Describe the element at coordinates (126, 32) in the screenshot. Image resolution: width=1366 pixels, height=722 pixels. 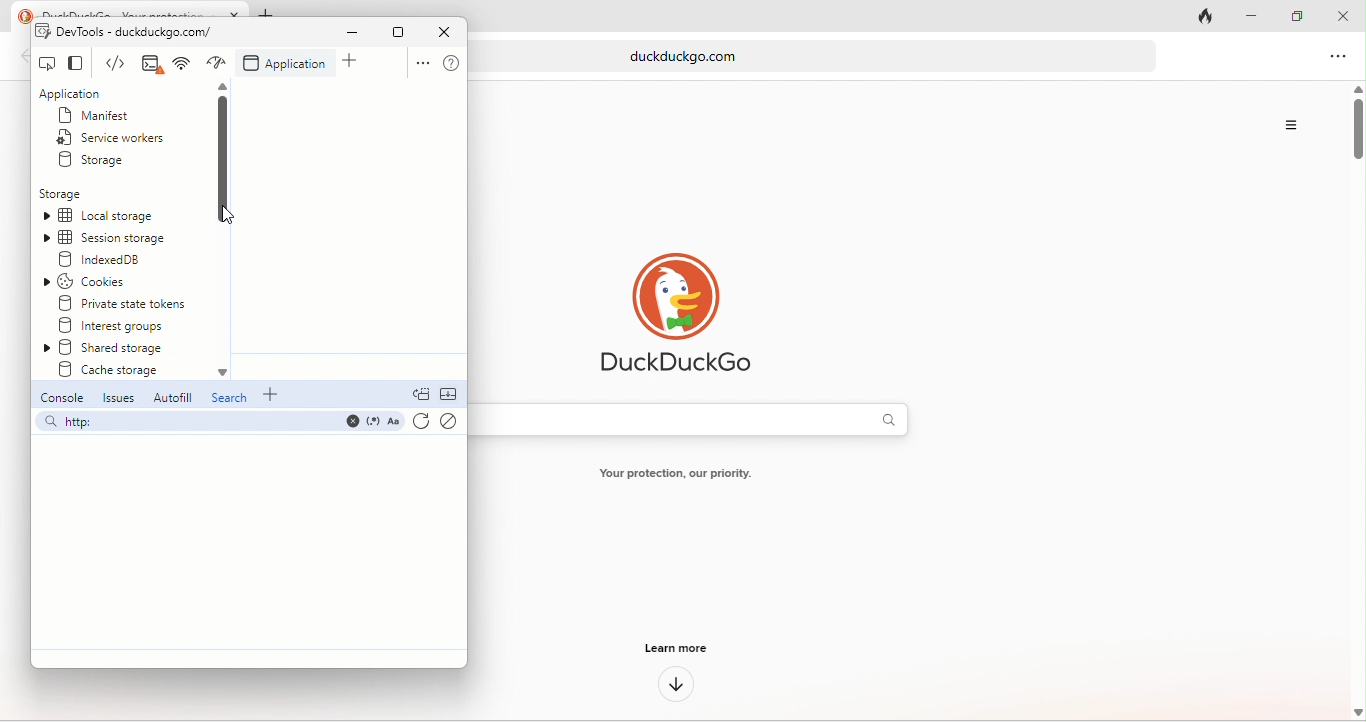
I see `dev tools` at that location.